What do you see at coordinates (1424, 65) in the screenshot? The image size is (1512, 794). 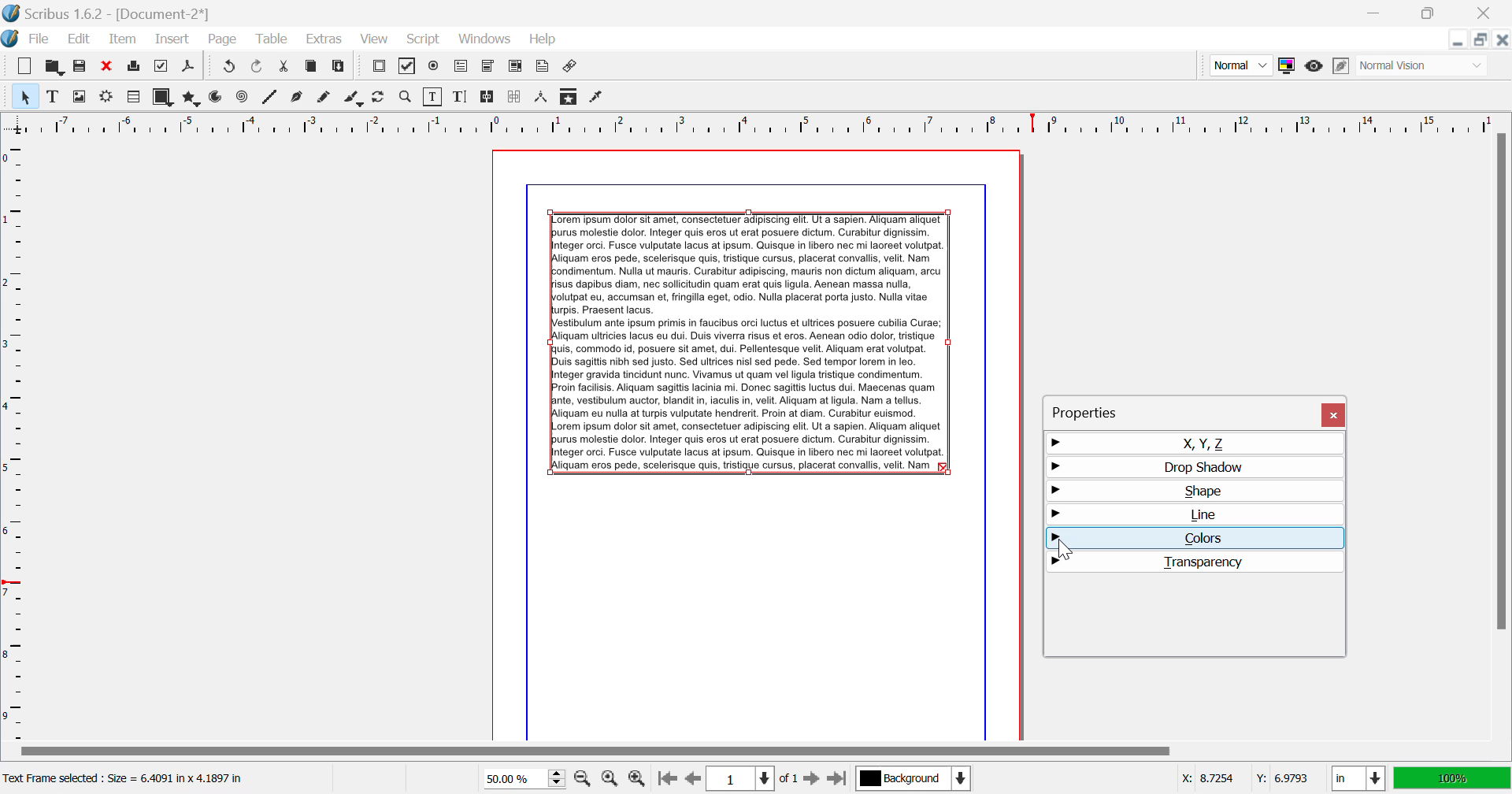 I see `Display Visual Appearance` at bounding box center [1424, 65].